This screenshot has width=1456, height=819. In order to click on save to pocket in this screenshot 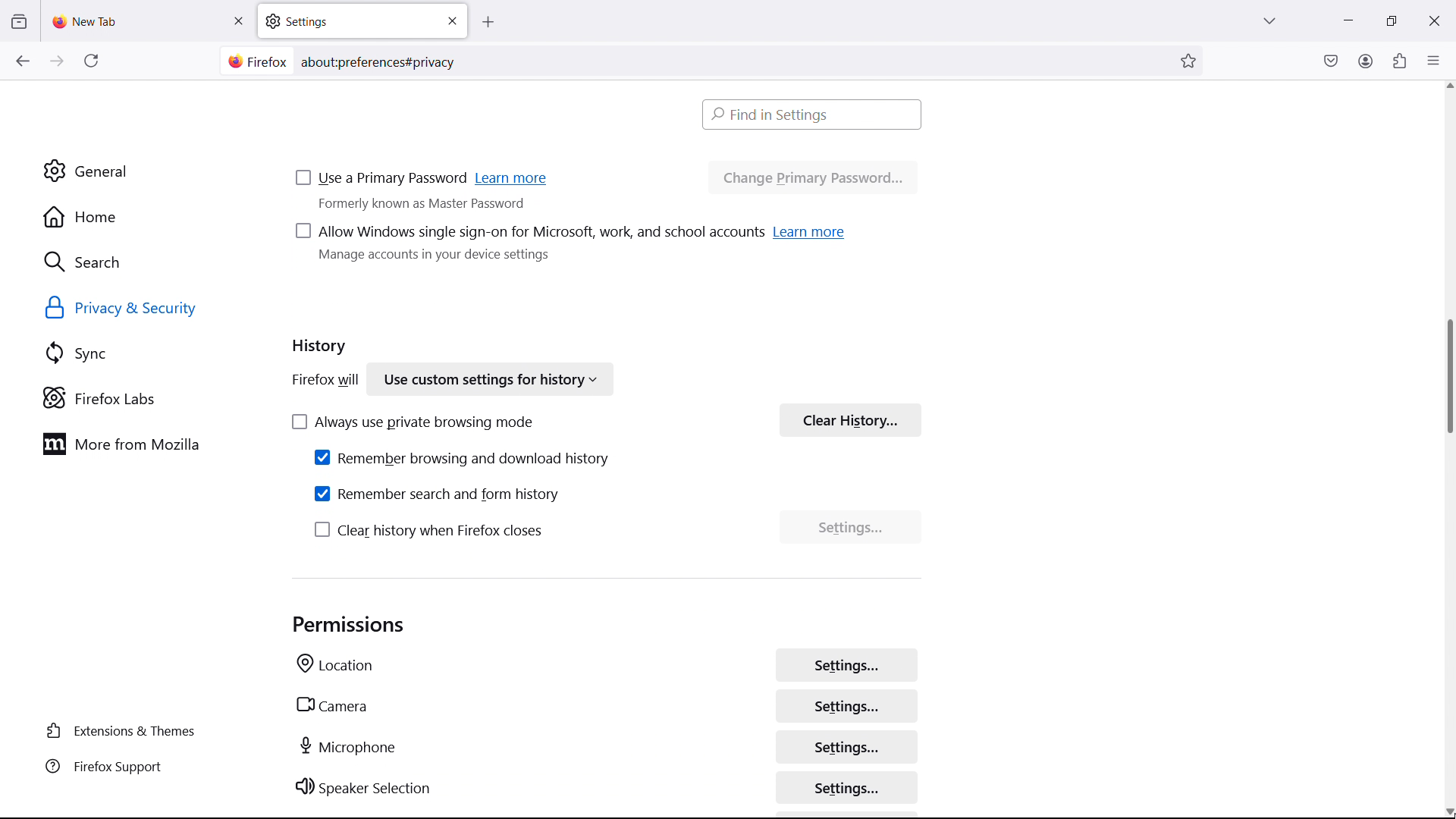, I will do `click(1331, 60)`.